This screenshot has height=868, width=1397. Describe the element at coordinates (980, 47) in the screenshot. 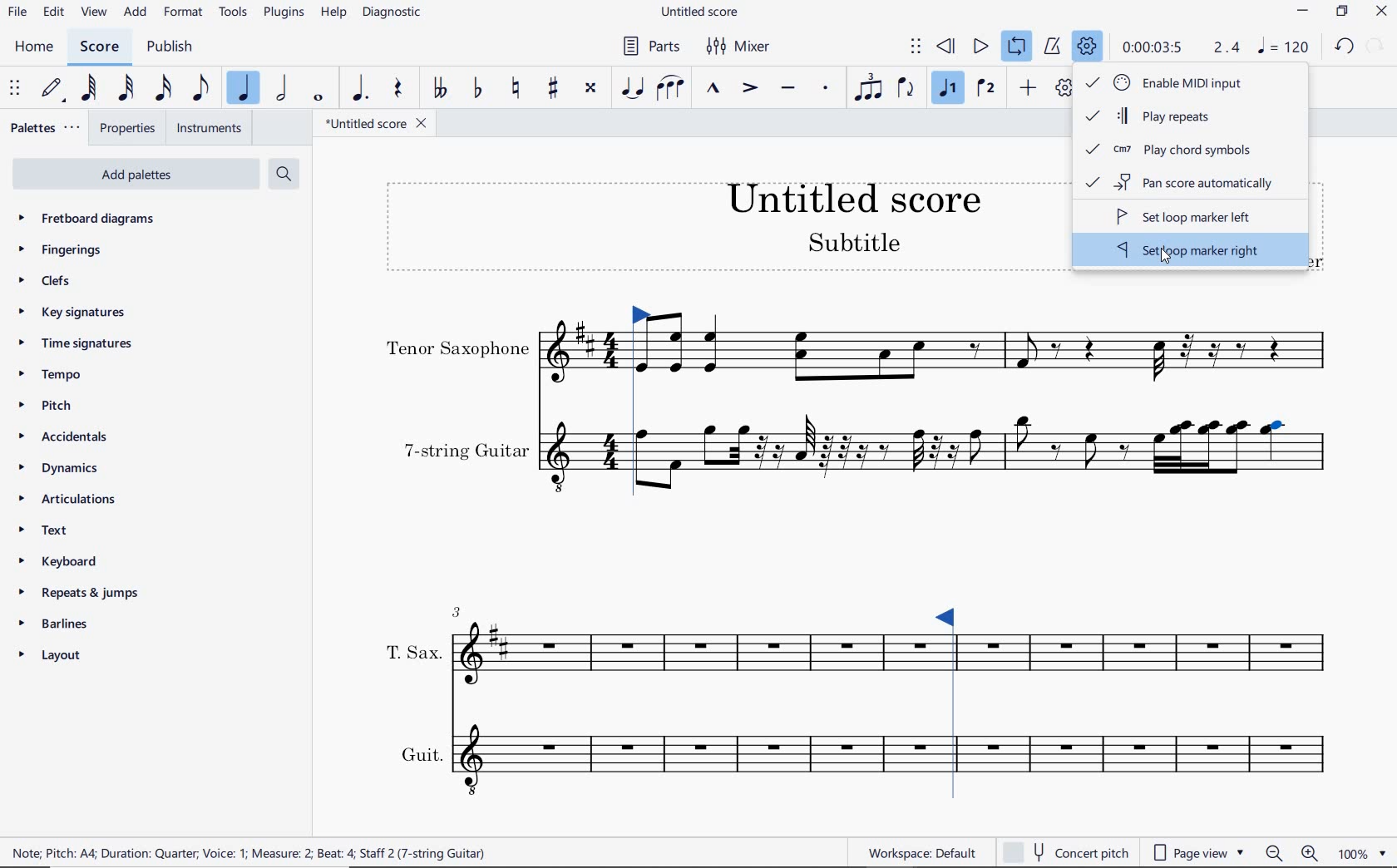

I see `PLAY` at that location.